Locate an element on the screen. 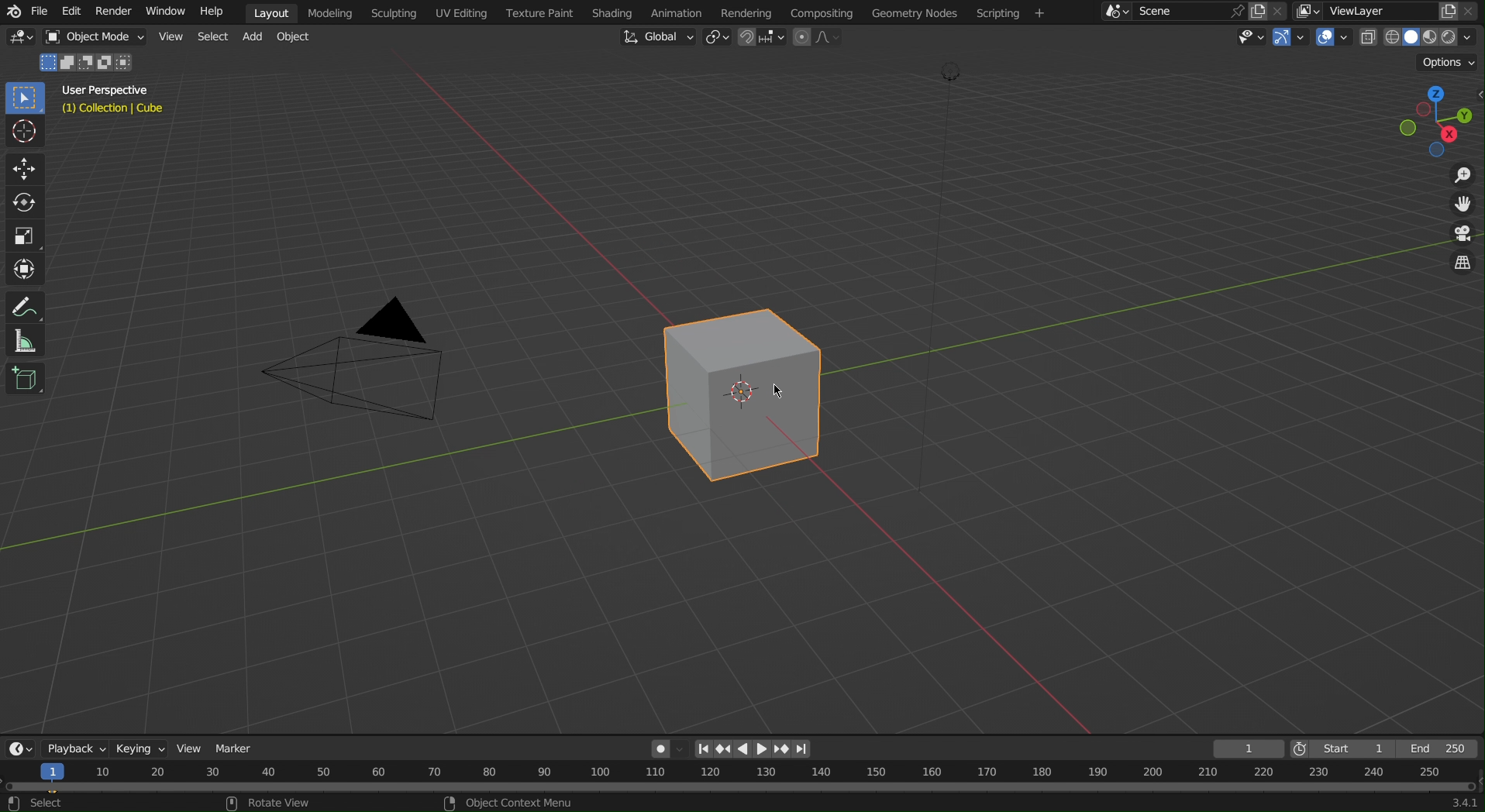  Timeline is located at coordinates (738, 777).